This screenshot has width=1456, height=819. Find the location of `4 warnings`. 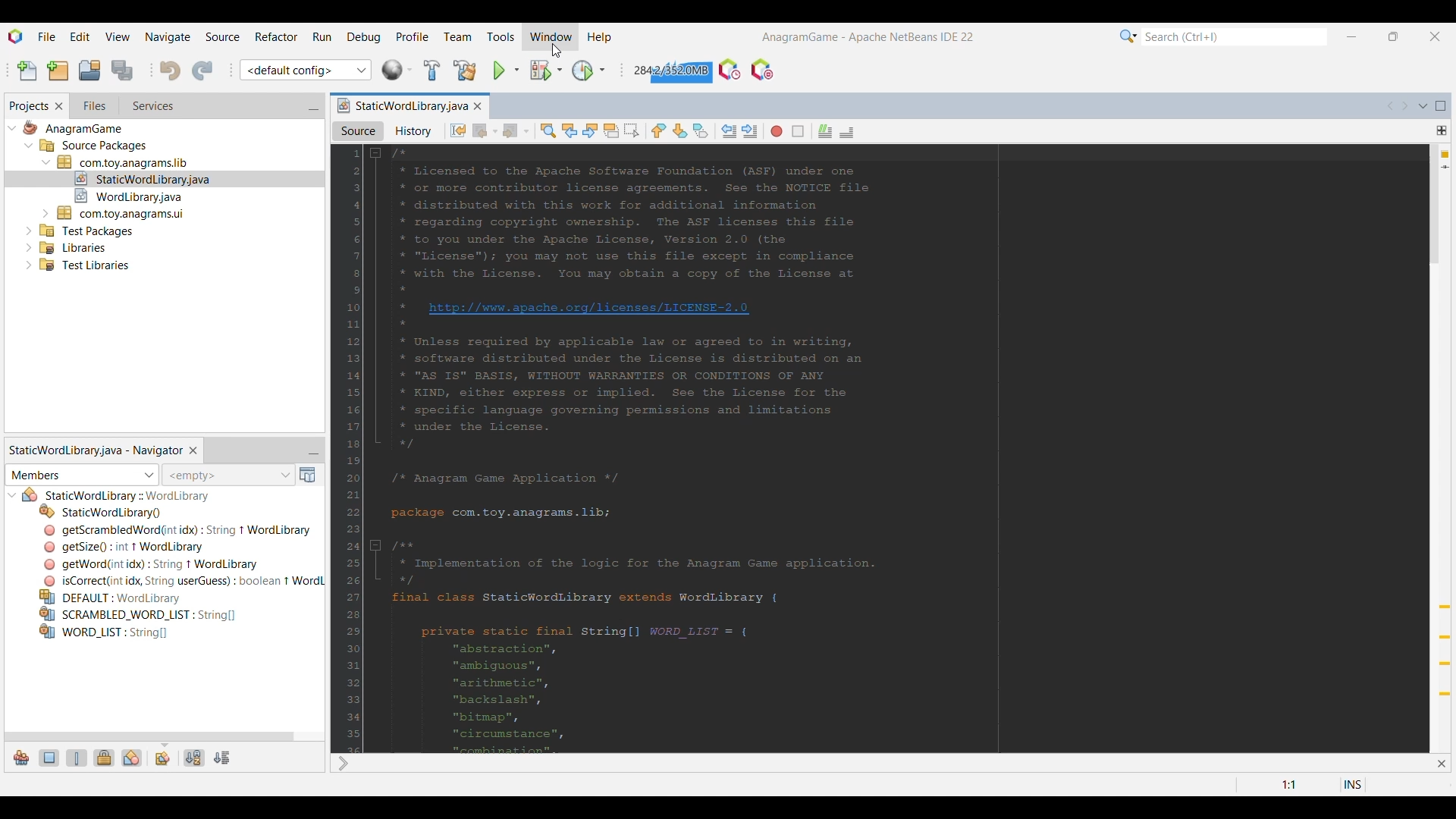

4 warnings is located at coordinates (1445, 155).